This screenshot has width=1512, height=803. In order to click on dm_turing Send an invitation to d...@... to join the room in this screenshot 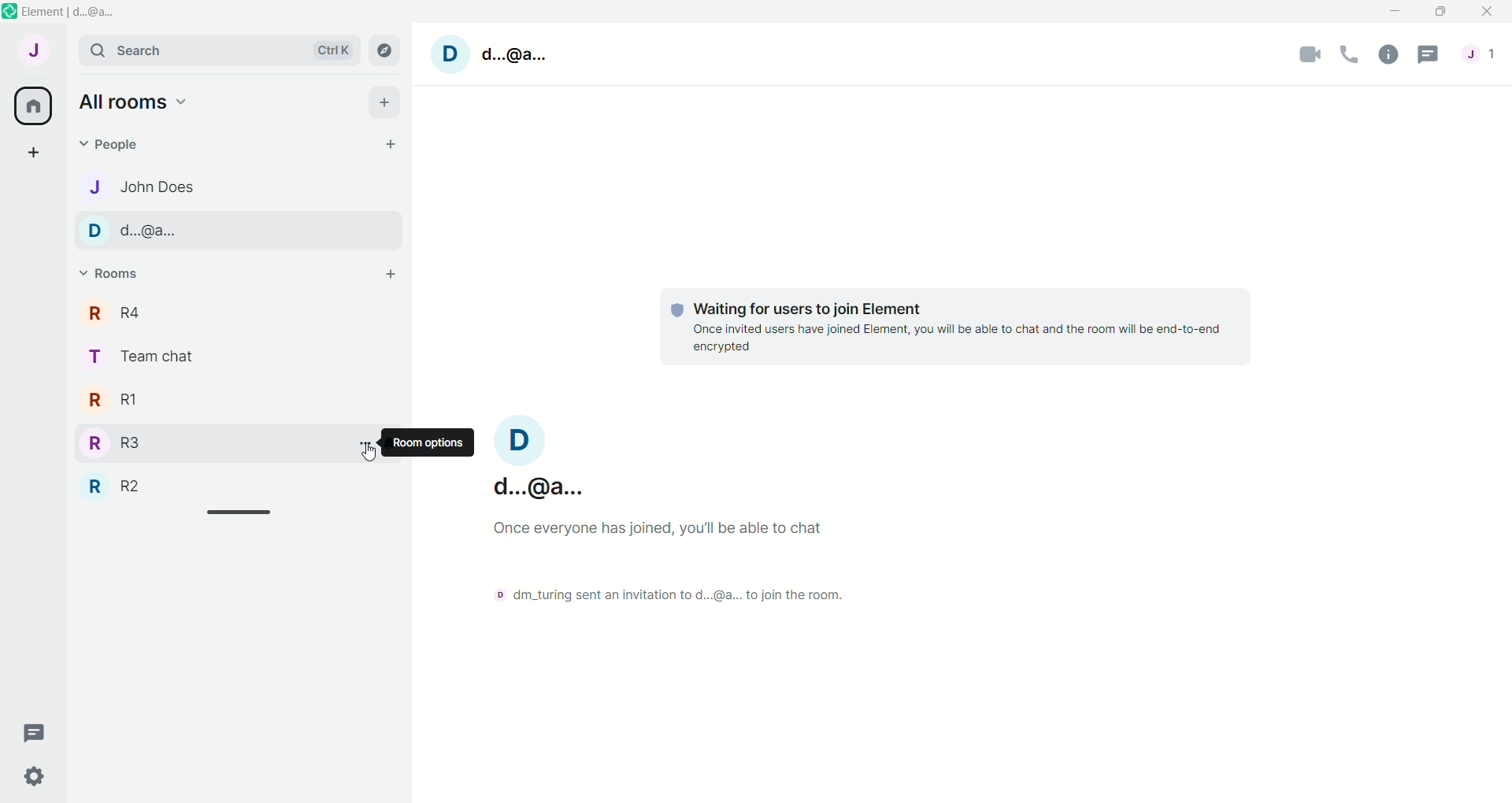, I will do `click(680, 594)`.